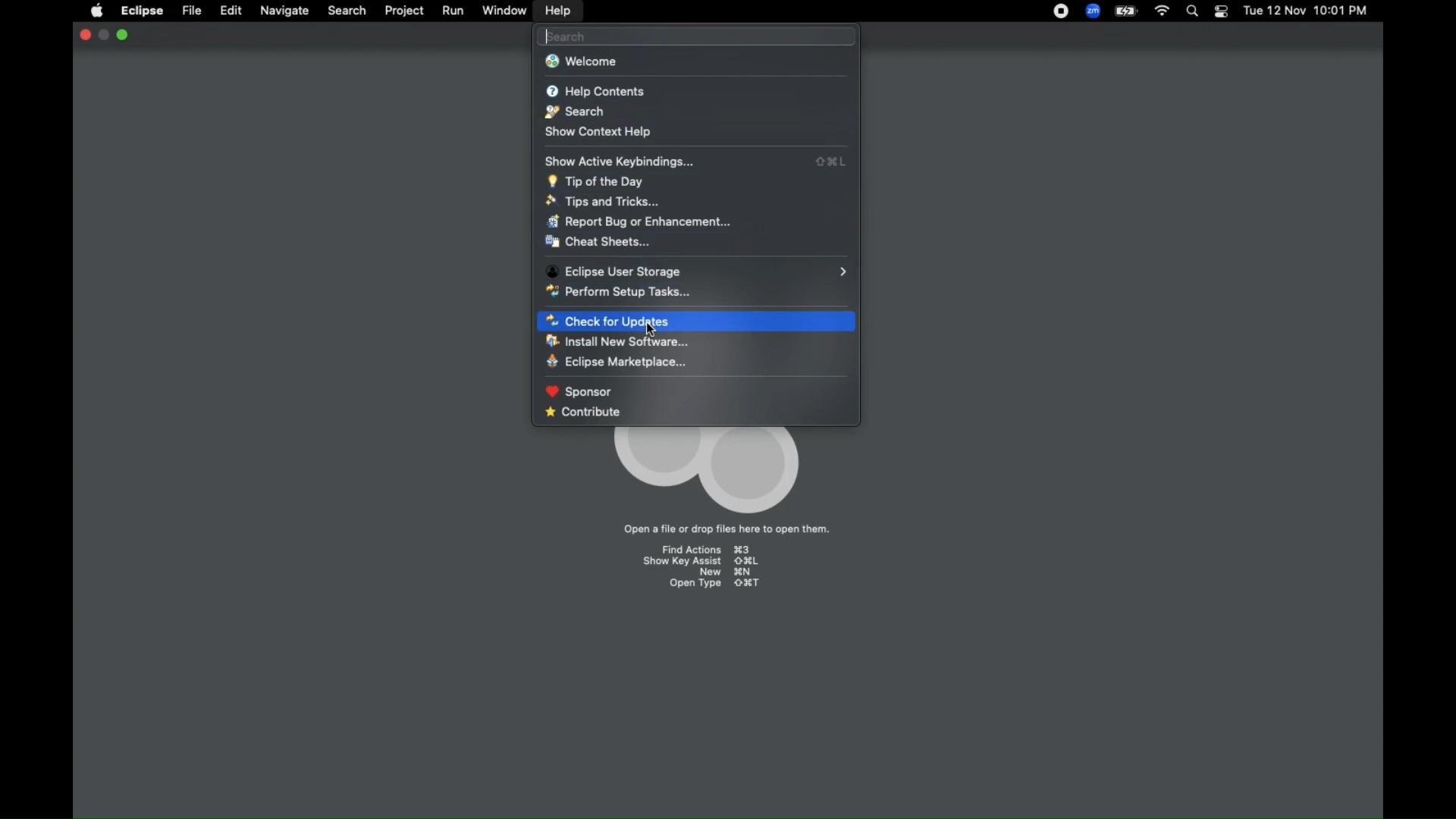 The height and width of the screenshot is (819, 1456). I want to click on Tips and Tricks, so click(697, 201).